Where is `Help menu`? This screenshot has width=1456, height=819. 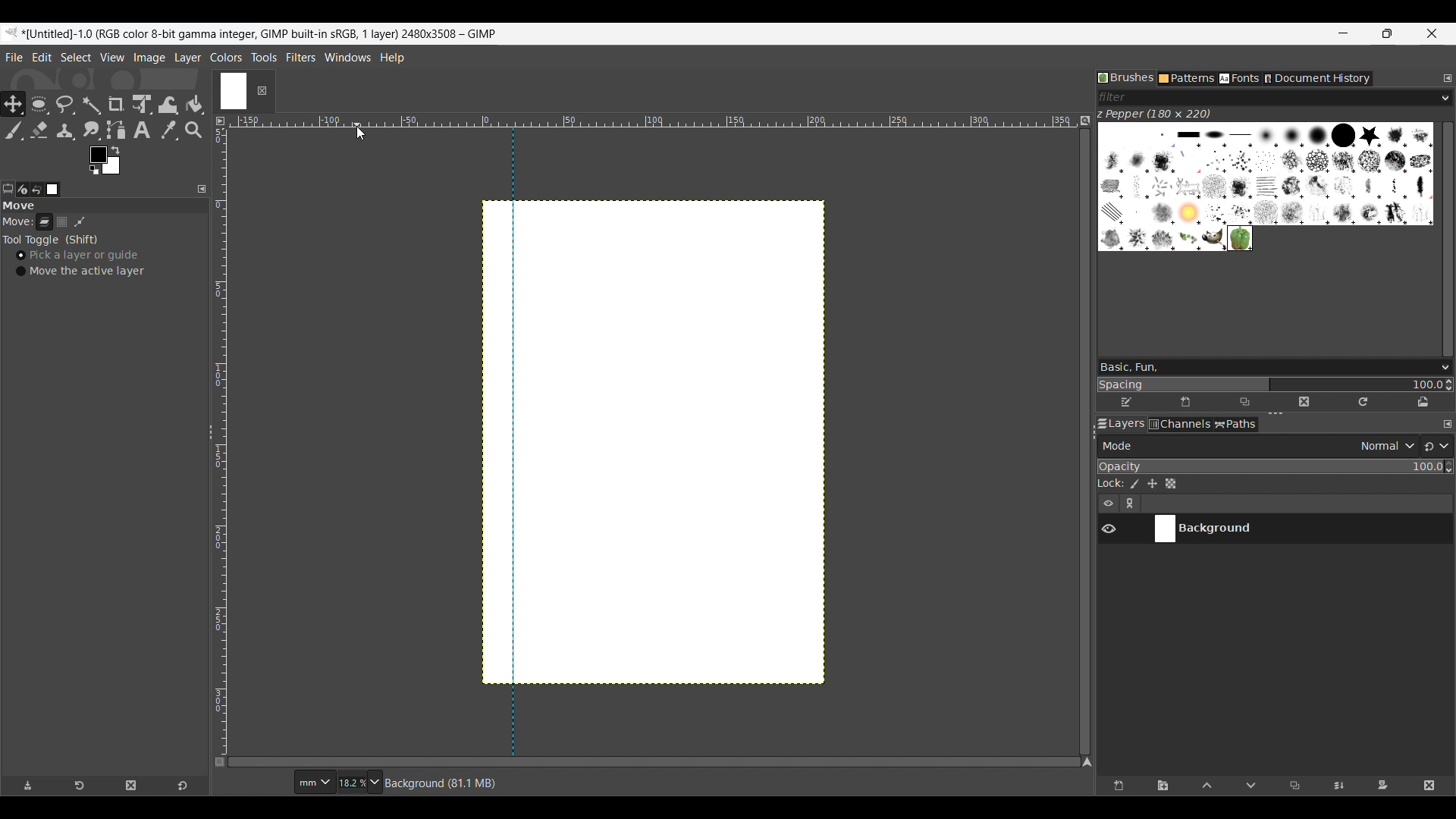 Help menu is located at coordinates (391, 57).